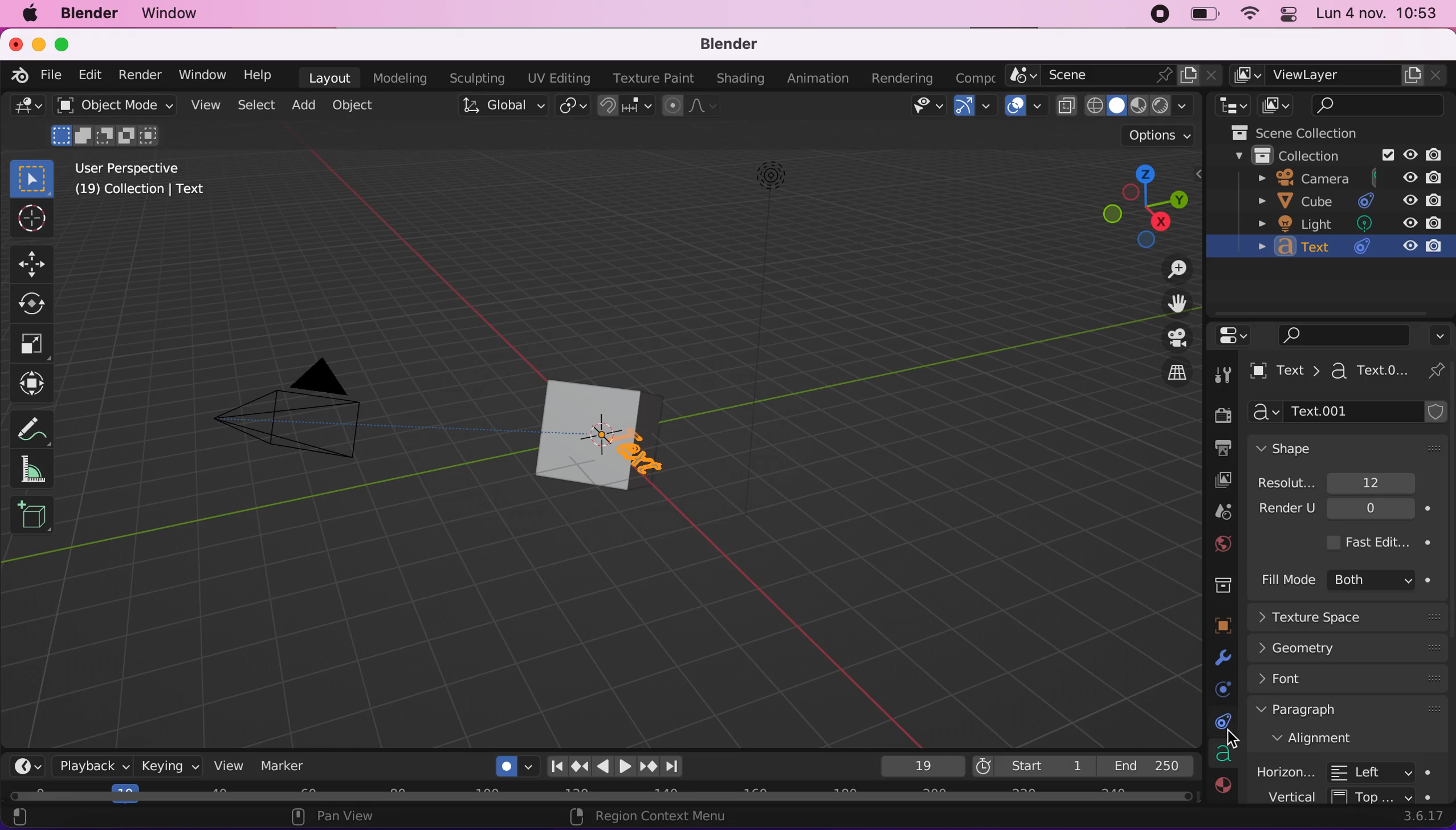 This screenshot has width=1456, height=830. Describe the element at coordinates (1231, 106) in the screenshot. I see `editor type` at that location.